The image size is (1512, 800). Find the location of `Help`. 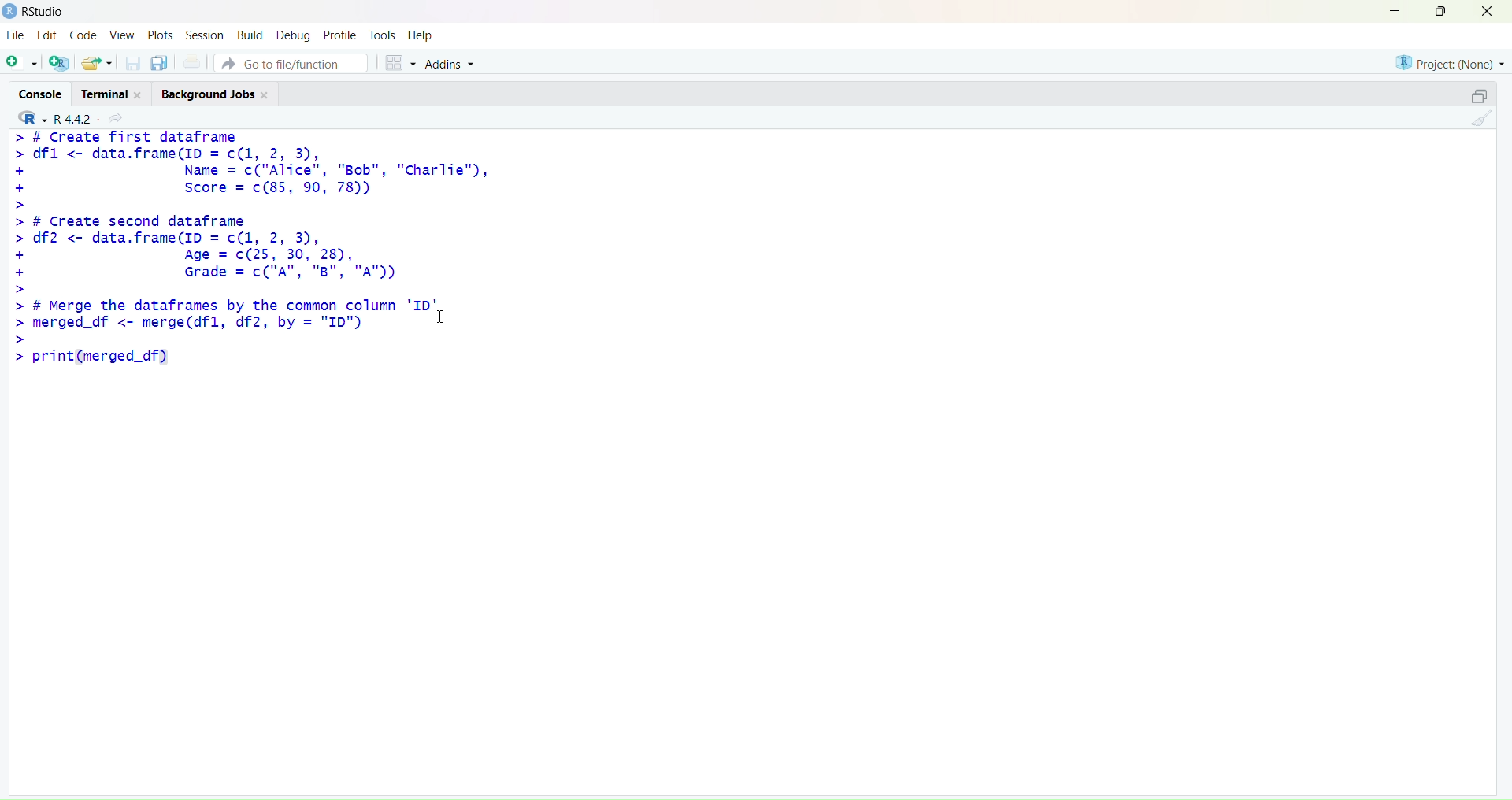

Help is located at coordinates (419, 35).